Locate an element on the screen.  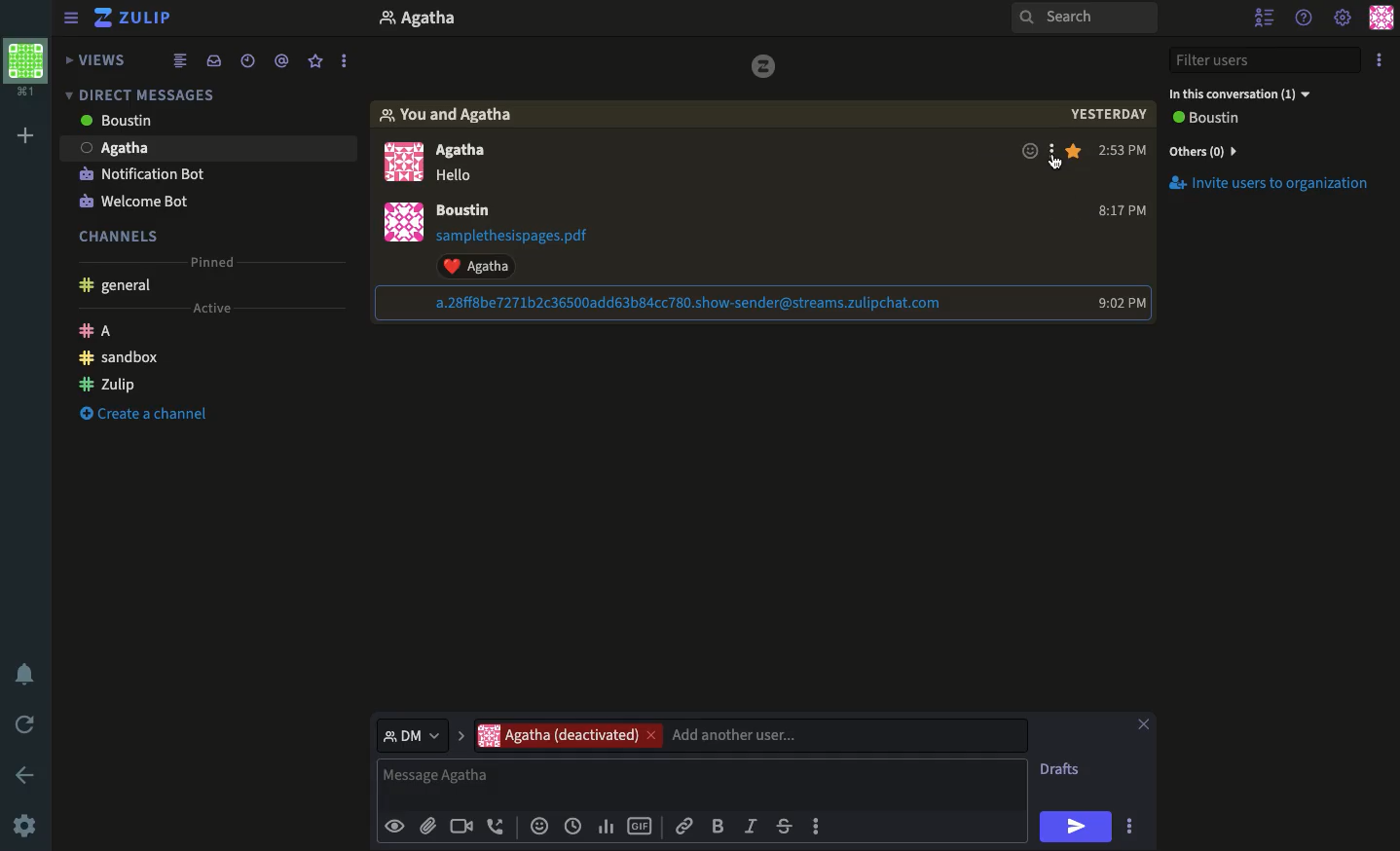
Users is located at coordinates (475, 152).